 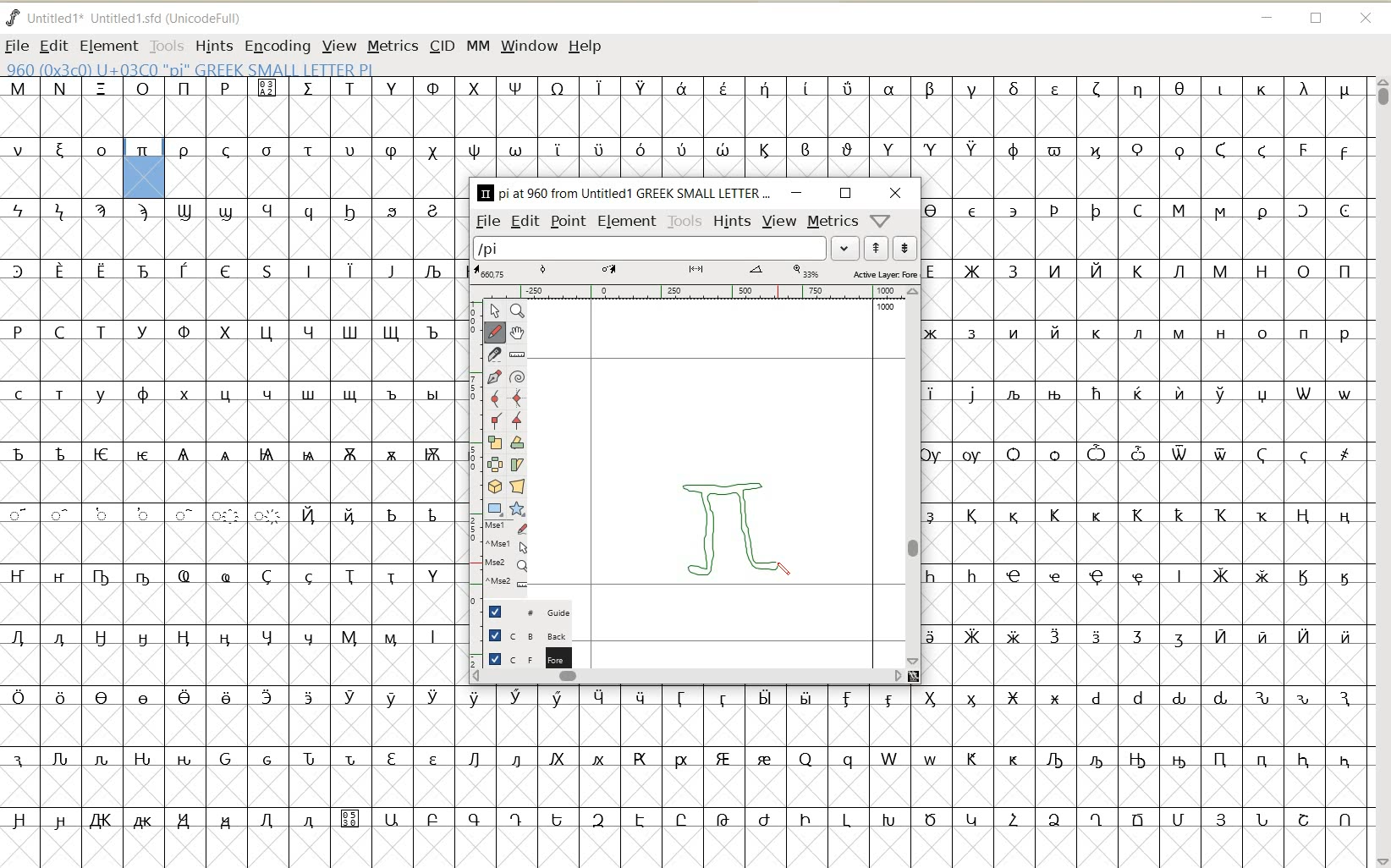 What do you see at coordinates (518, 464) in the screenshot?
I see `skew the selection` at bounding box center [518, 464].